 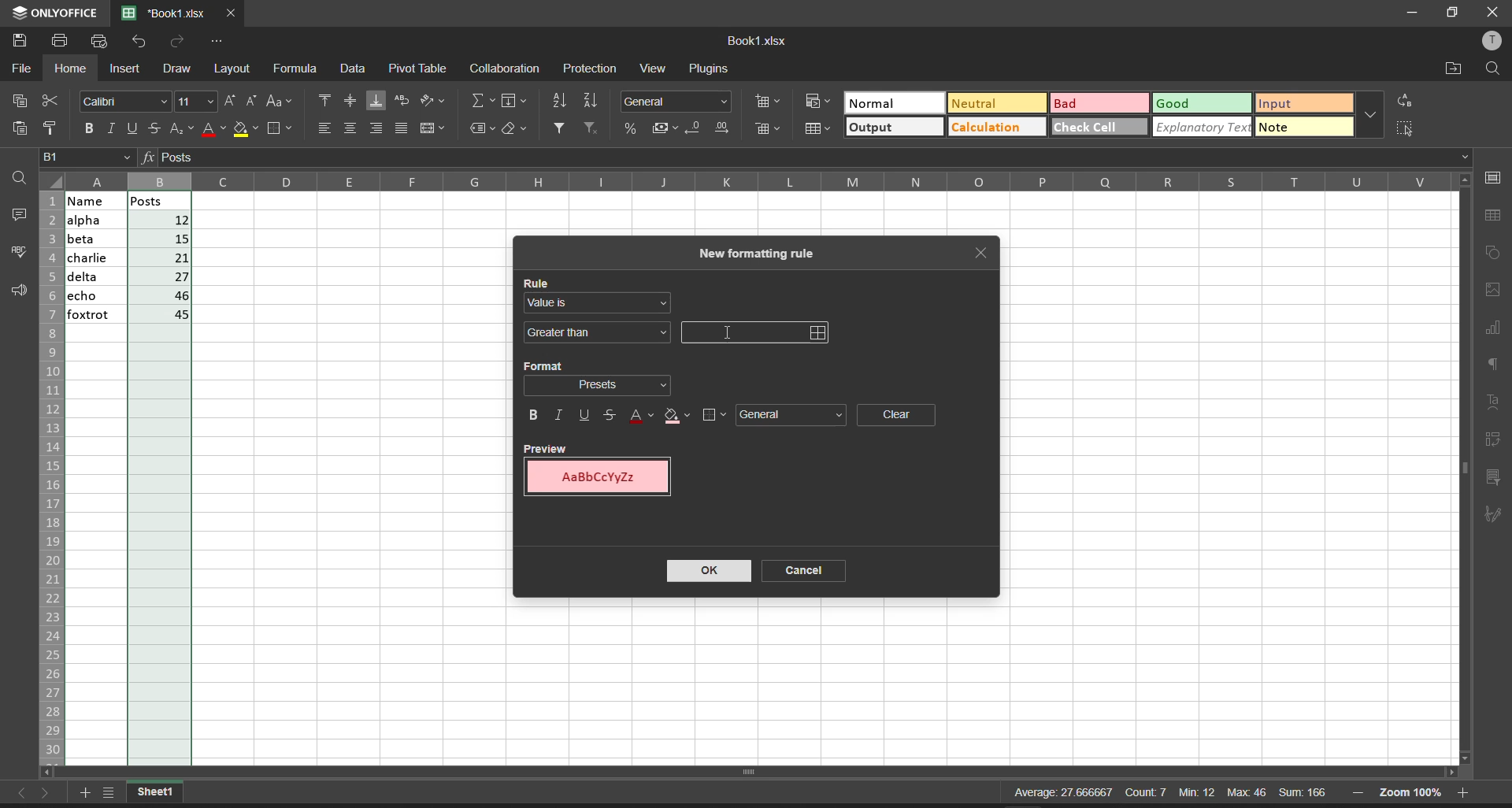 What do you see at coordinates (17, 251) in the screenshot?
I see `spell checking` at bounding box center [17, 251].